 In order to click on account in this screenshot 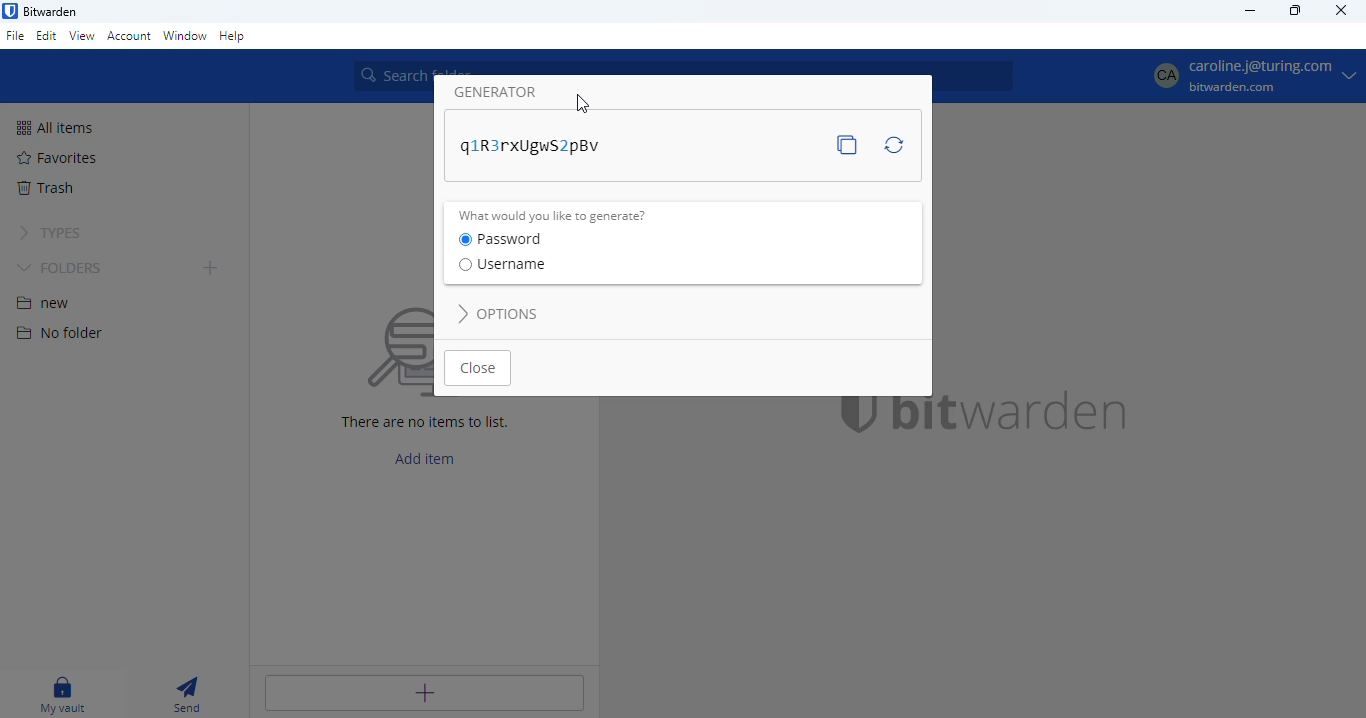, I will do `click(130, 35)`.